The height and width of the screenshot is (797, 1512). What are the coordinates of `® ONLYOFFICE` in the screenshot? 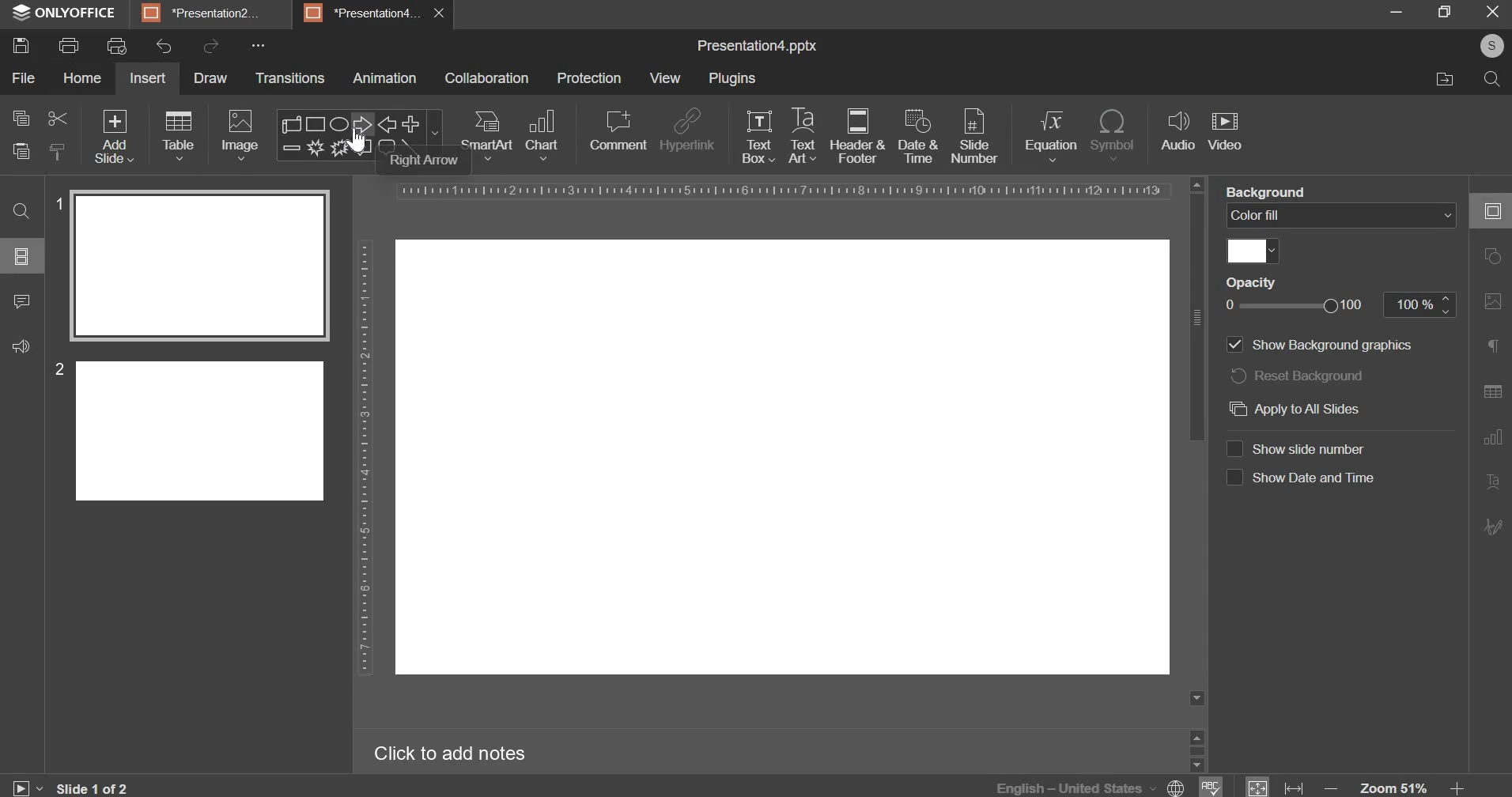 It's located at (66, 13).